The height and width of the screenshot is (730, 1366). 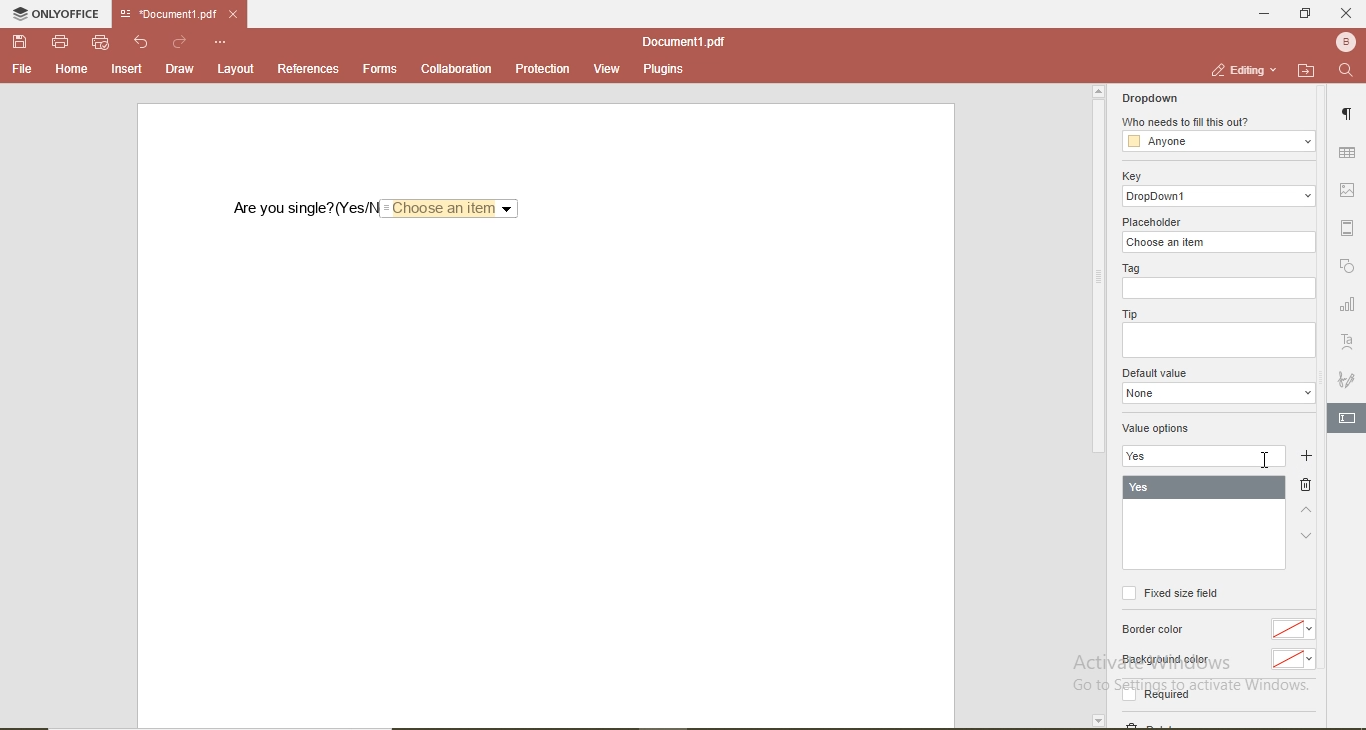 What do you see at coordinates (1135, 176) in the screenshot?
I see `key` at bounding box center [1135, 176].